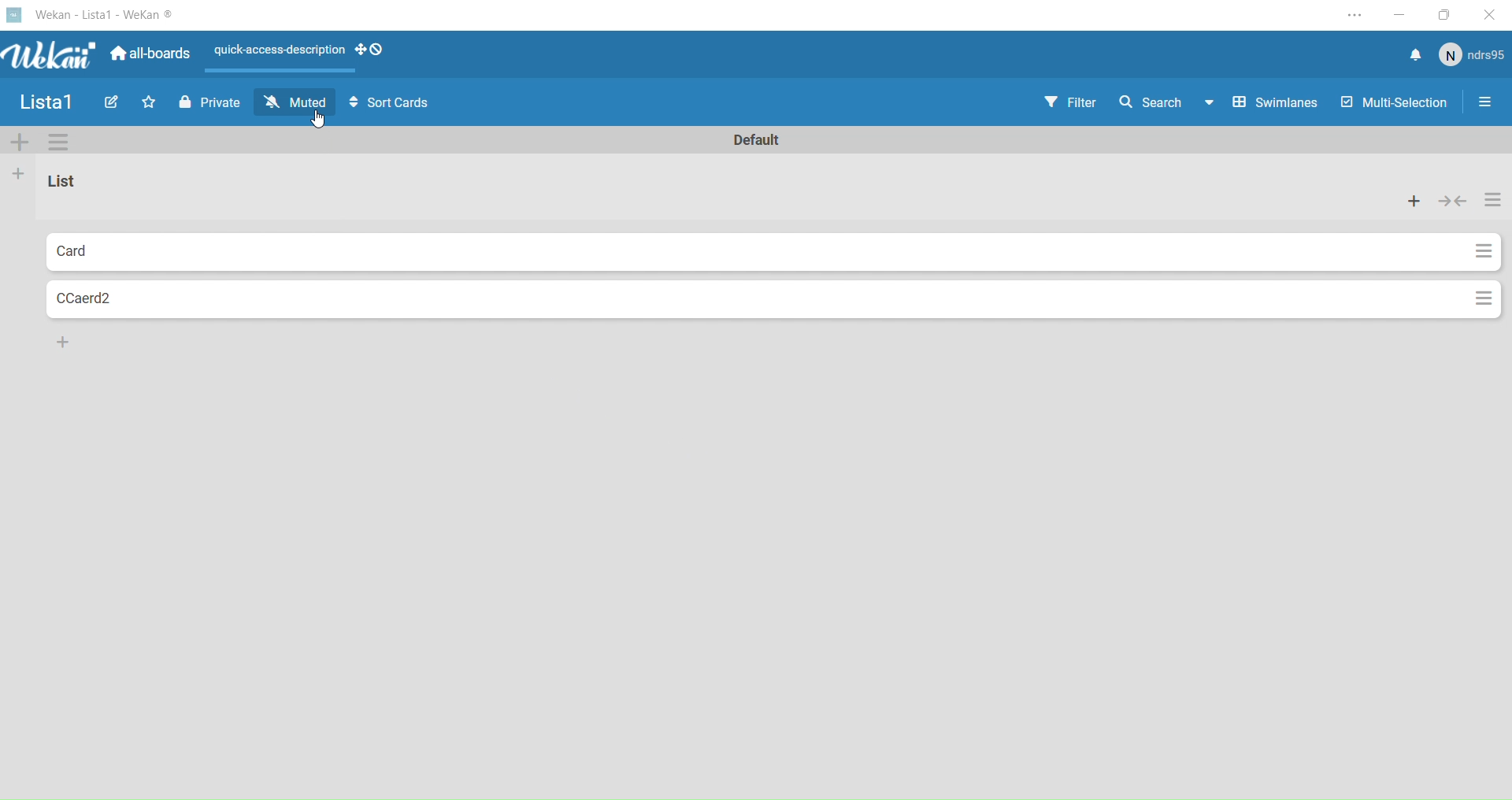 This screenshot has height=800, width=1512. What do you see at coordinates (1451, 15) in the screenshot?
I see `Box` at bounding box center [1451, 15].